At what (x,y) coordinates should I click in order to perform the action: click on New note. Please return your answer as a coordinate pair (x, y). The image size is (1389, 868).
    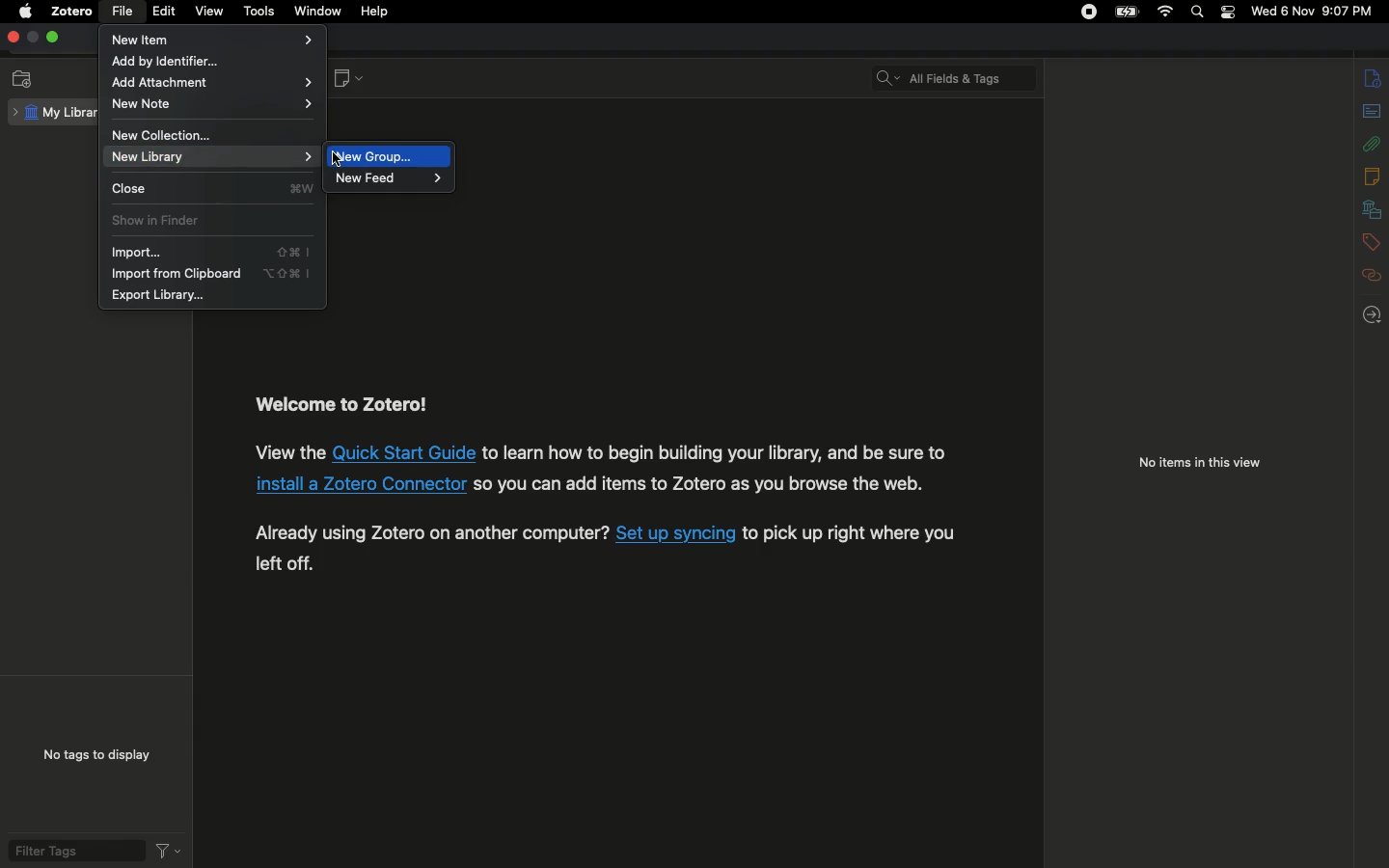
    Looking at the image, I should click on (346, 80).